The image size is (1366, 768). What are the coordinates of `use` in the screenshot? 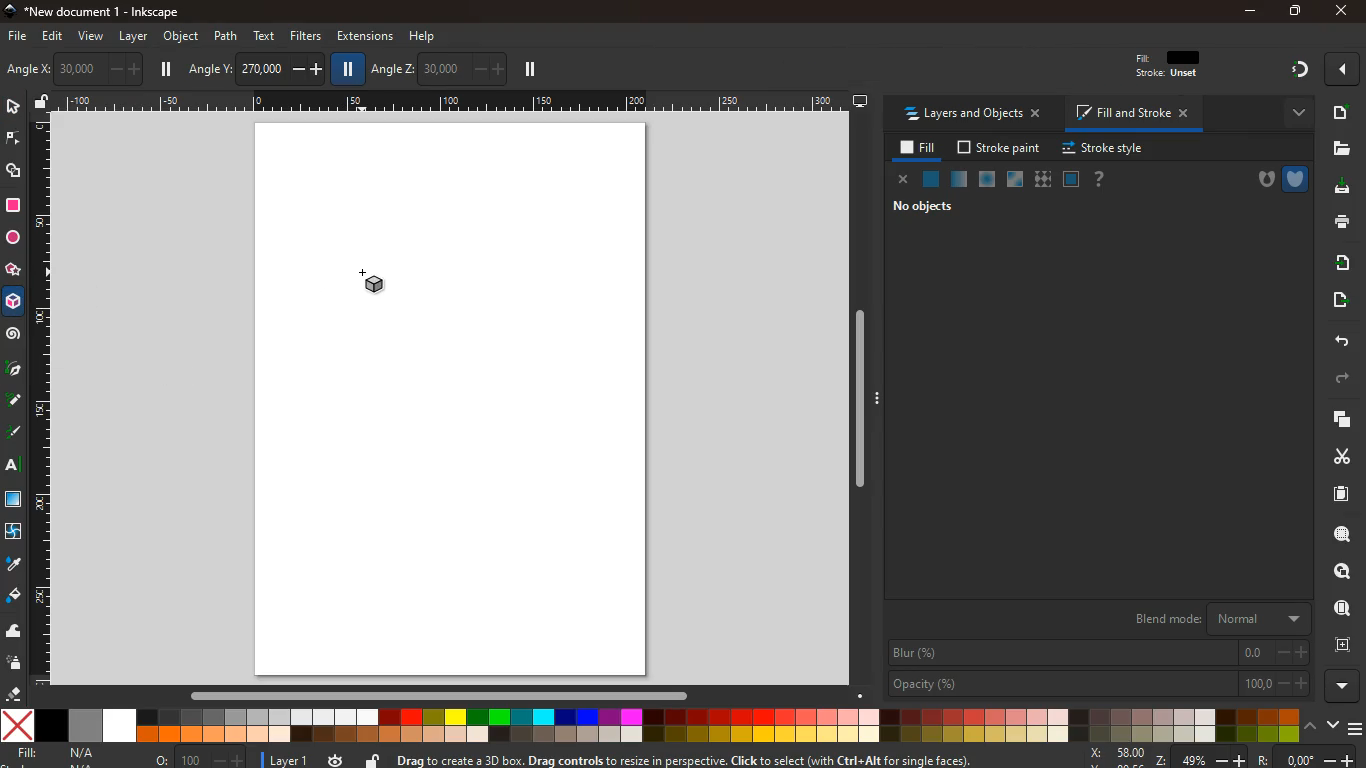 It's located at (1336, 609).